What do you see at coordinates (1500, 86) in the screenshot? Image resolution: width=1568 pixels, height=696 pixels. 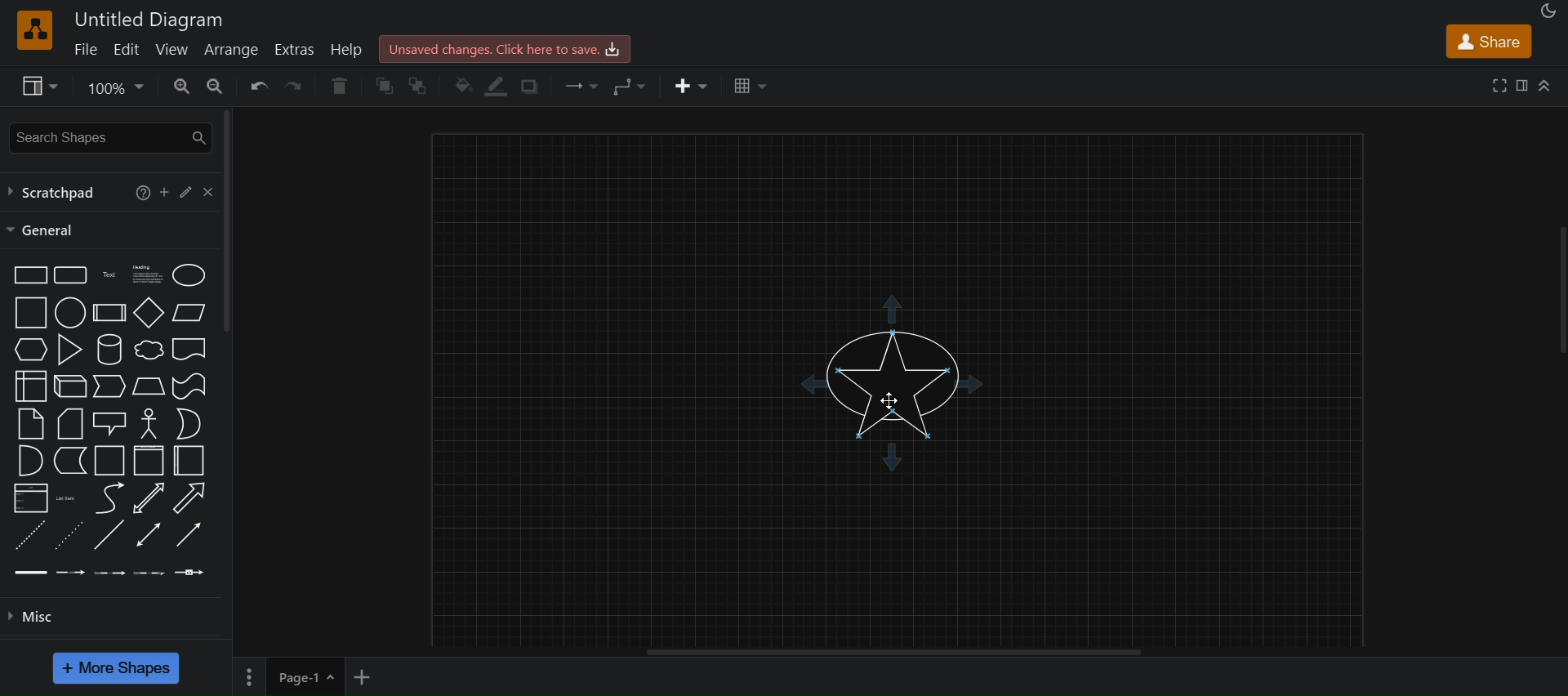 I see `fullscreen` at bounding box center [1500, 86].